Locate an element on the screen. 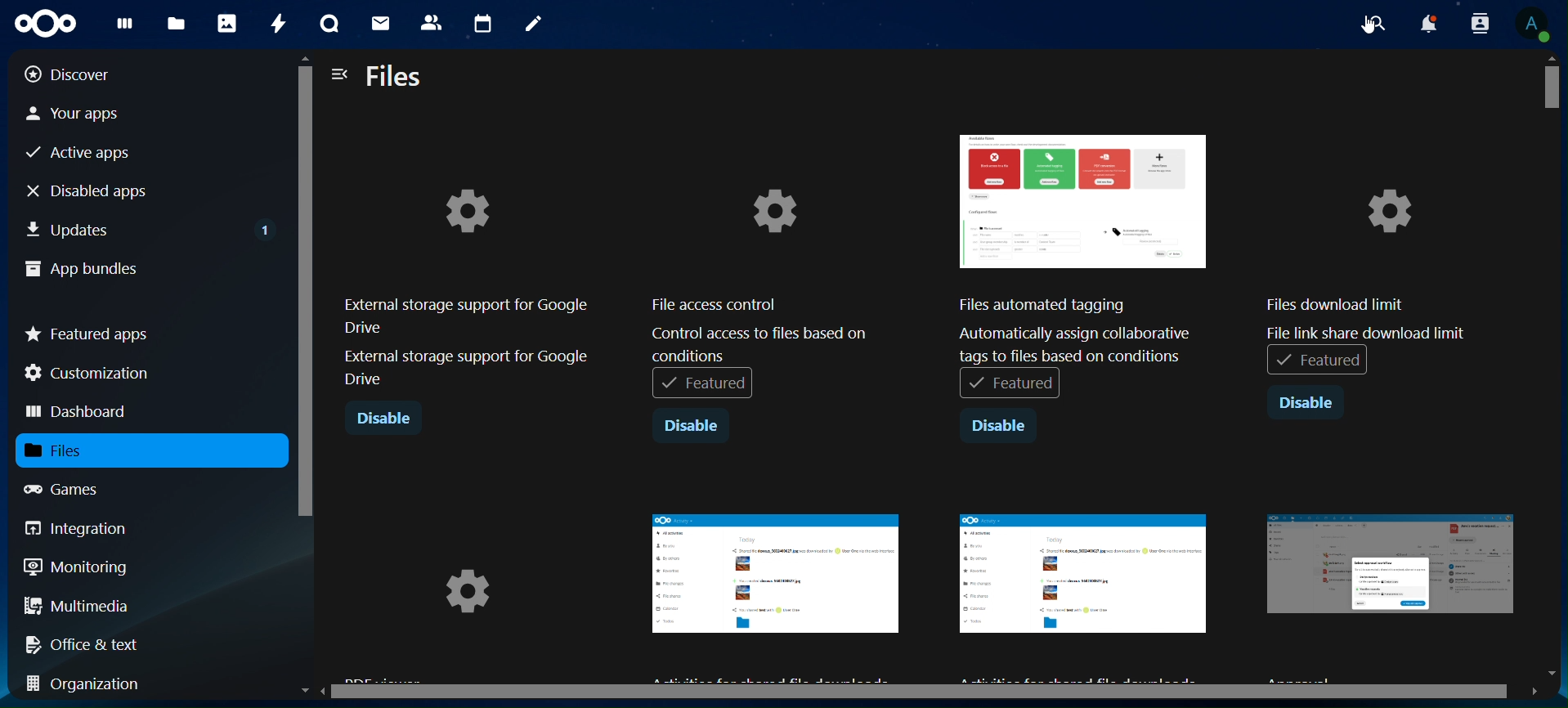 The height and width of the screenshot is (708, 1568). multimedia is located at coordinates (78, 608).